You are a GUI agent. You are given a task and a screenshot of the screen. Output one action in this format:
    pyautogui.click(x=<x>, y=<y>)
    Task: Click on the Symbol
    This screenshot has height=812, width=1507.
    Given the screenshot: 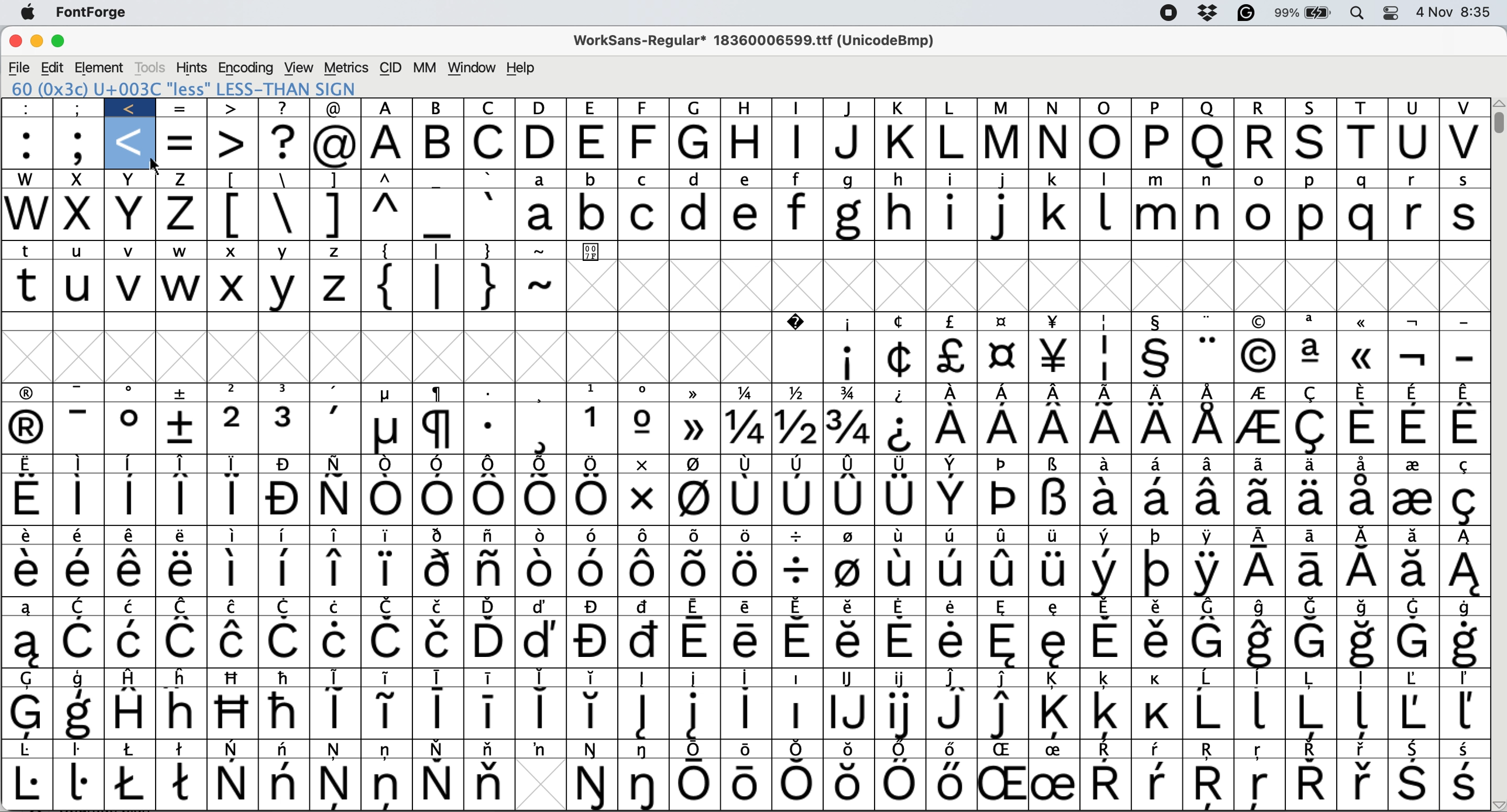 What is the action you would take?
    pyautogui.click(x=285, y=536)
    